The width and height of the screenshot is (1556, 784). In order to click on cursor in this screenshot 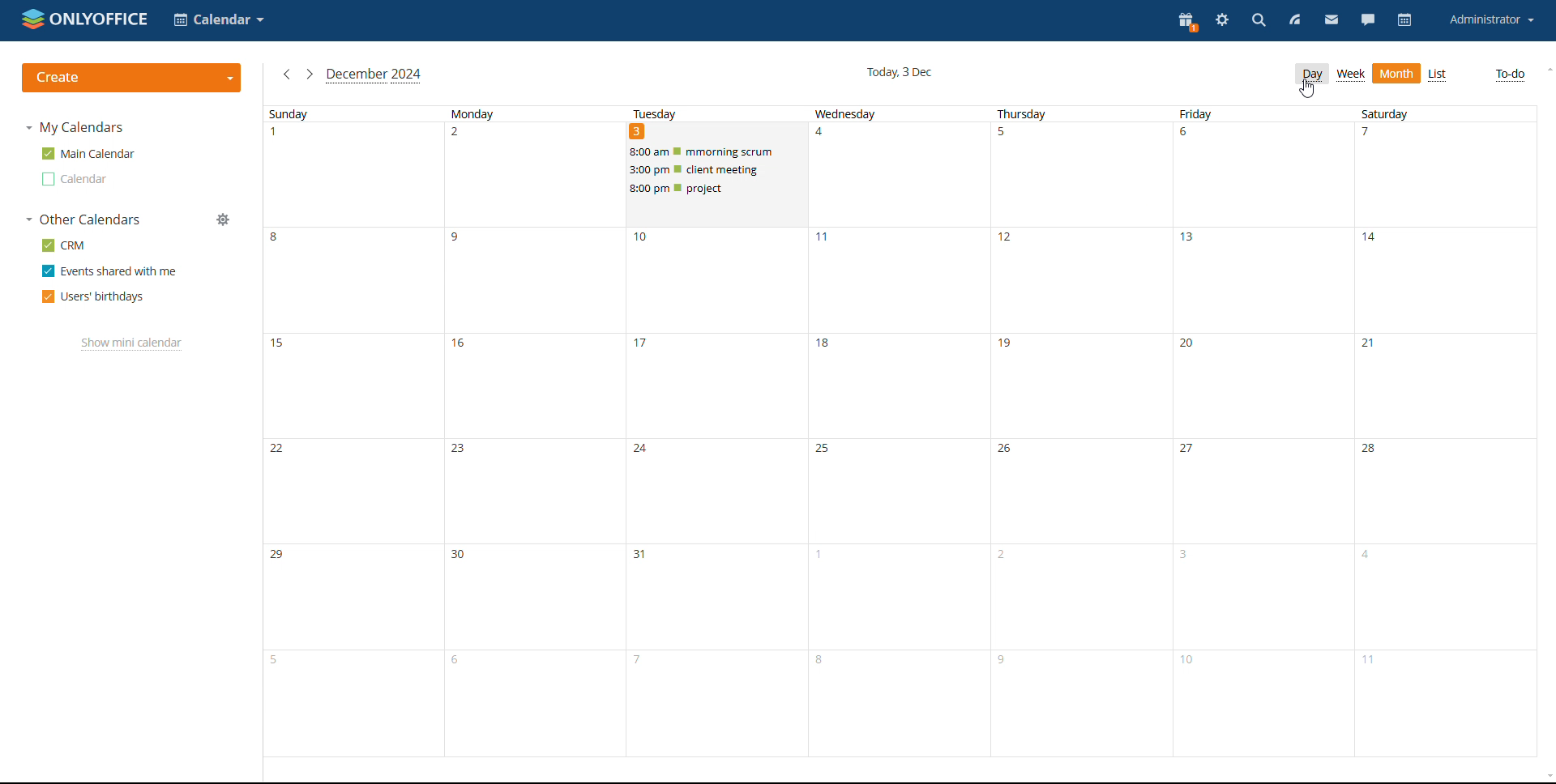, I will do `click(1307, 89)`.